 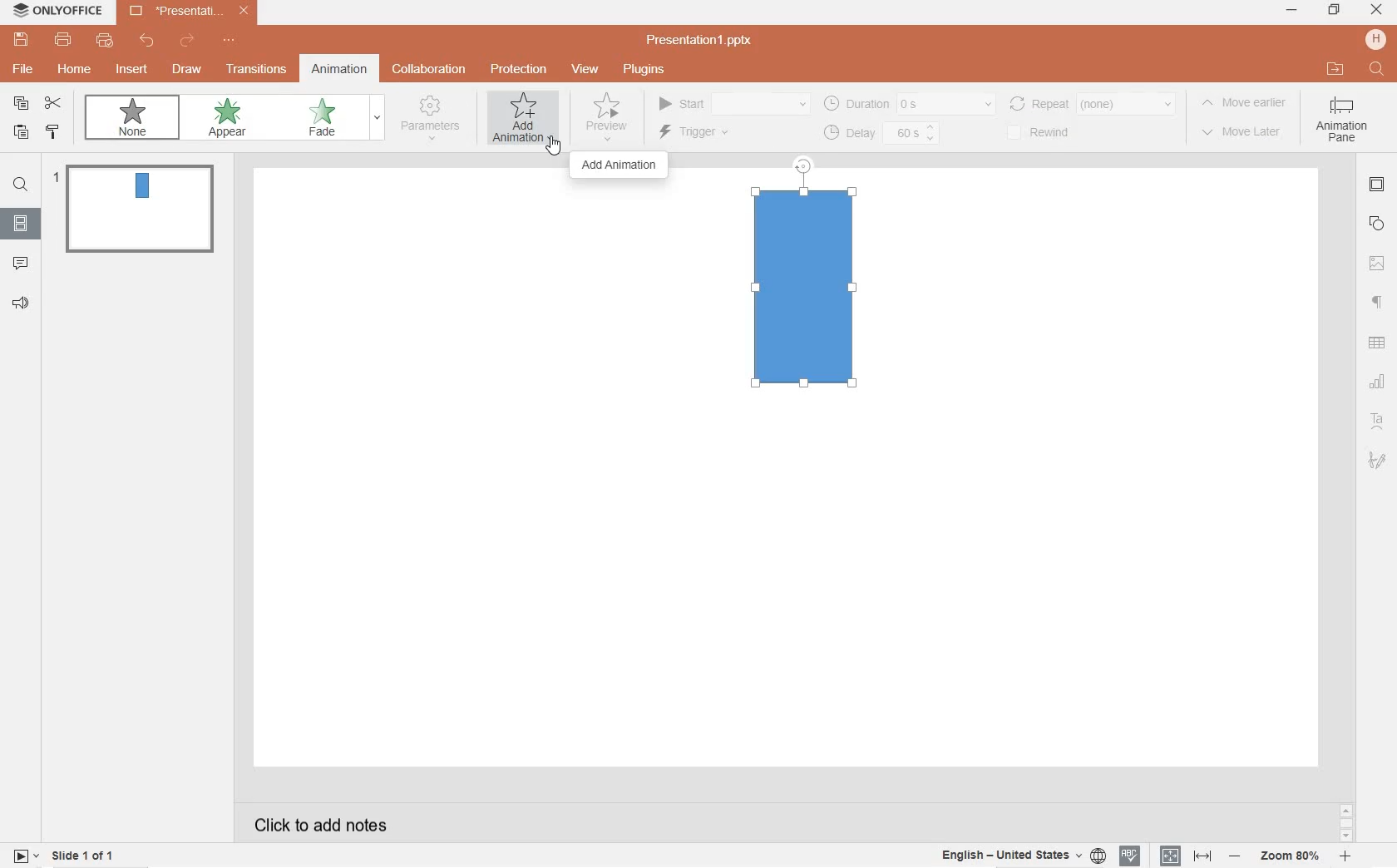 I want to click on set text or document language, so click(x=1183, y=856).